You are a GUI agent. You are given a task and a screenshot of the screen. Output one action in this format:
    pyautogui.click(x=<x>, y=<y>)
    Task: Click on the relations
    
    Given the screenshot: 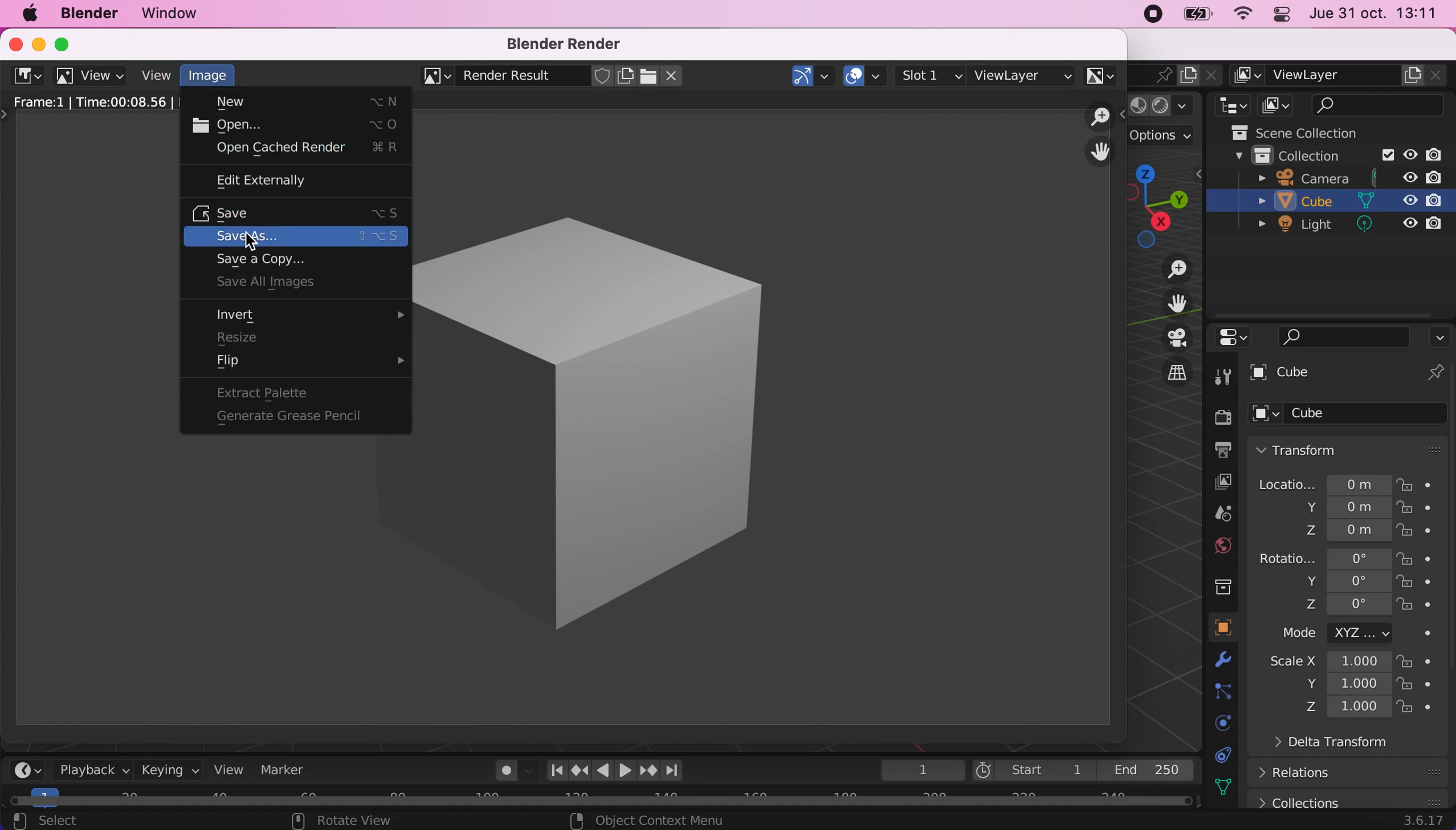 What is the action you would take?
    pyautogui.click(x=1302, y=773)
    